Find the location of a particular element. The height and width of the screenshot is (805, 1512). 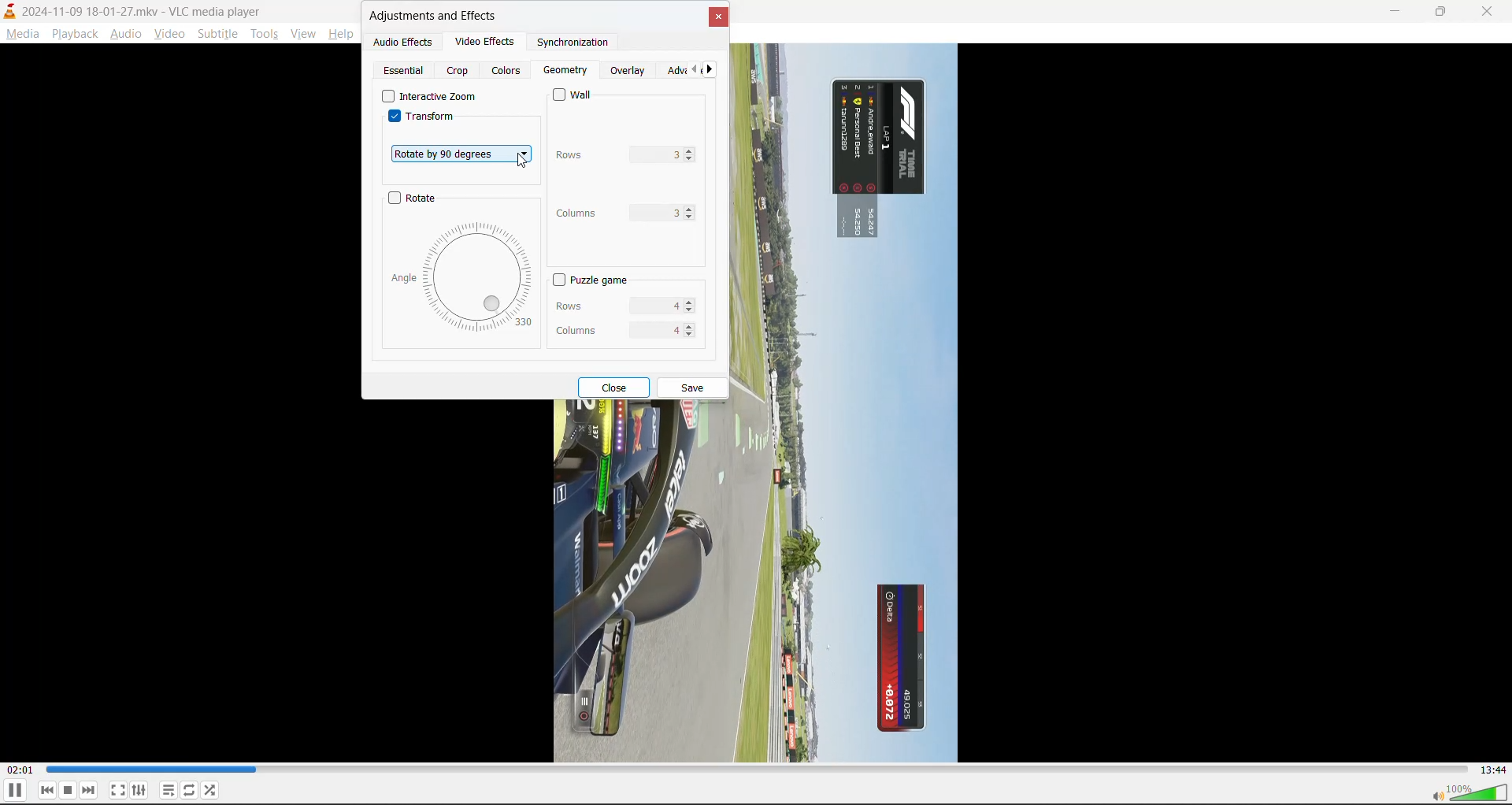

playlist is located at coordinates (169, 790).